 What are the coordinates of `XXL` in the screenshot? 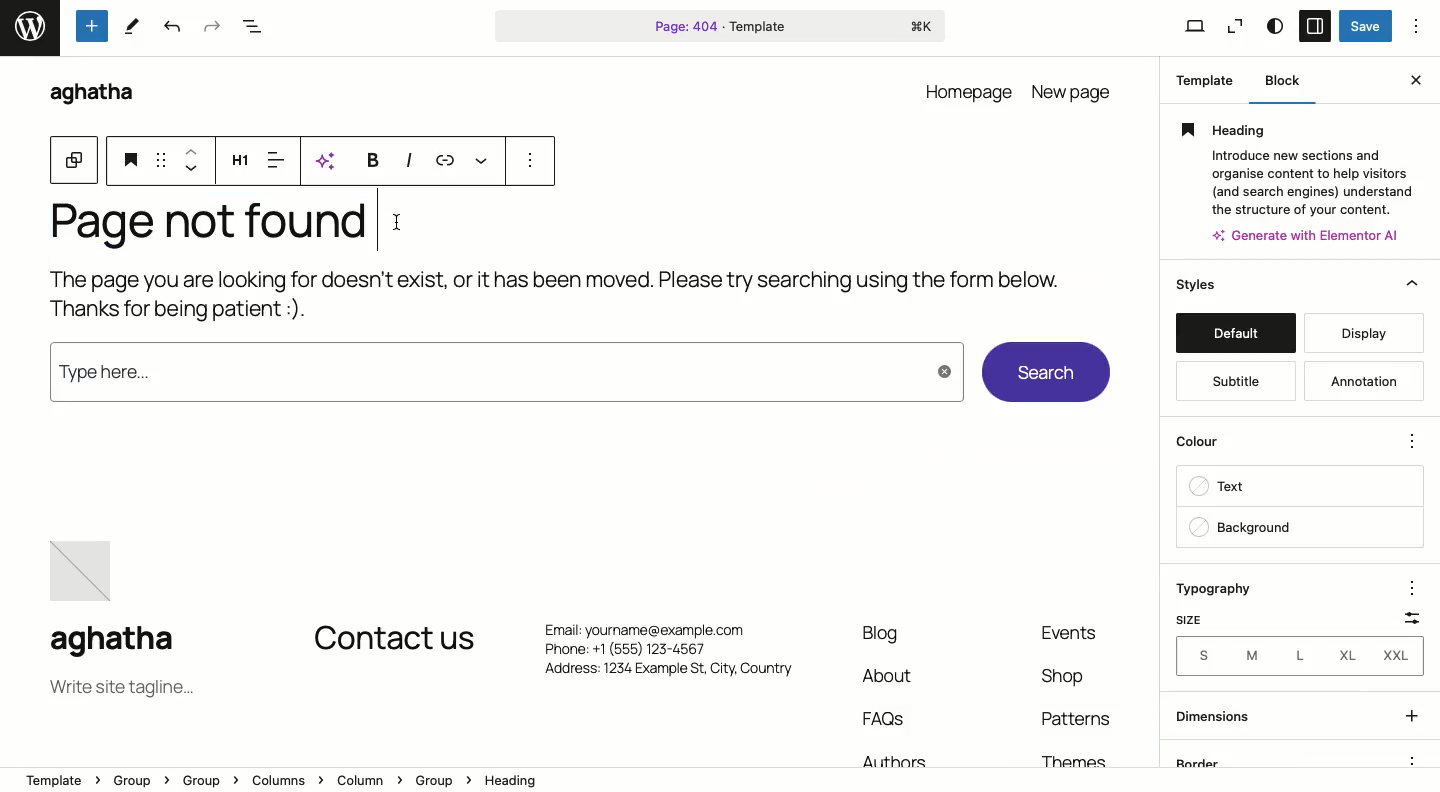 It's located at (1400, 658).